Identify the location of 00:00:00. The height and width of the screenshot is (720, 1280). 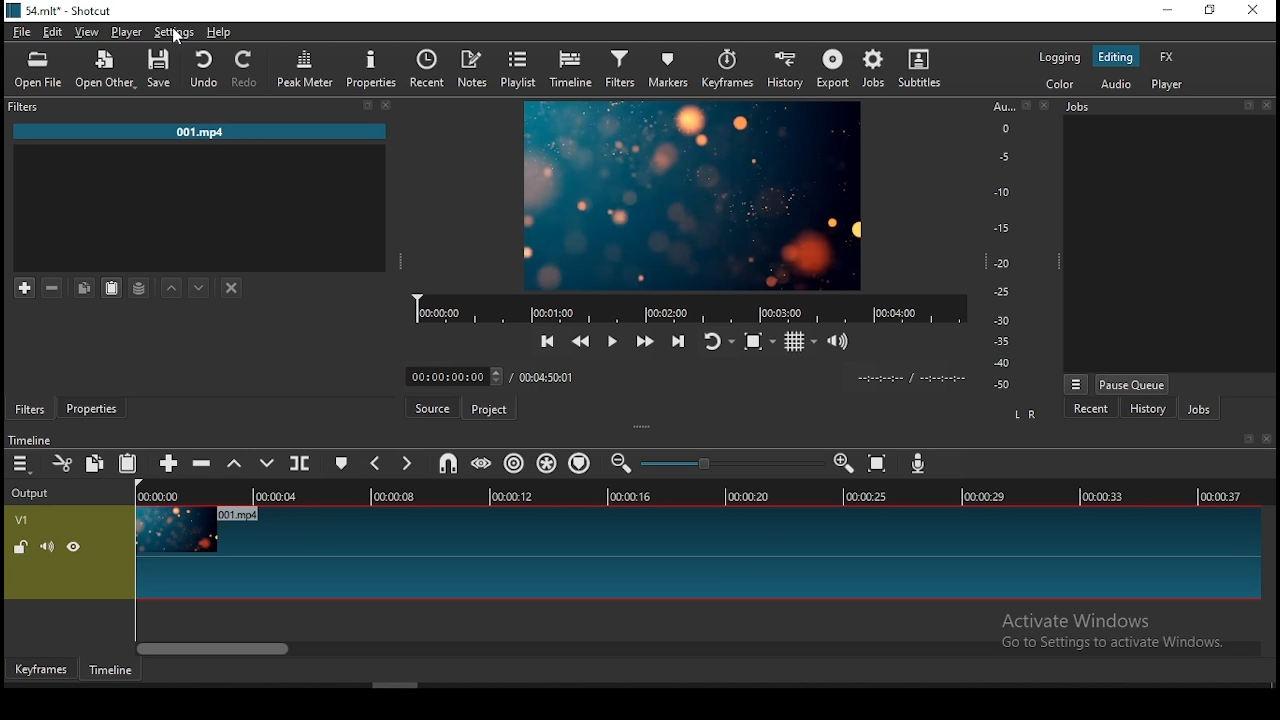
(155, 496).